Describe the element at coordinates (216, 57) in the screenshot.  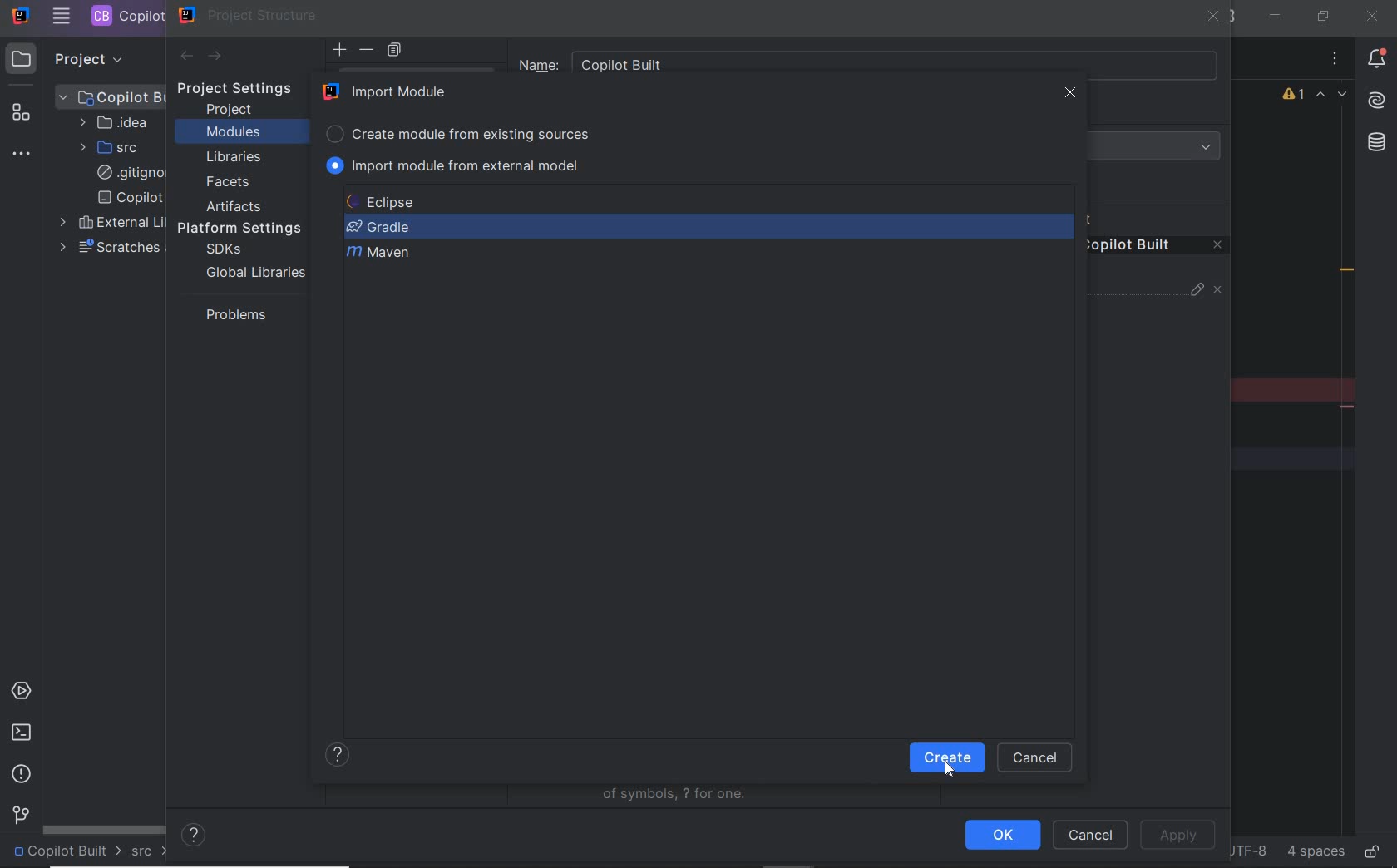
I see `next` at that location.